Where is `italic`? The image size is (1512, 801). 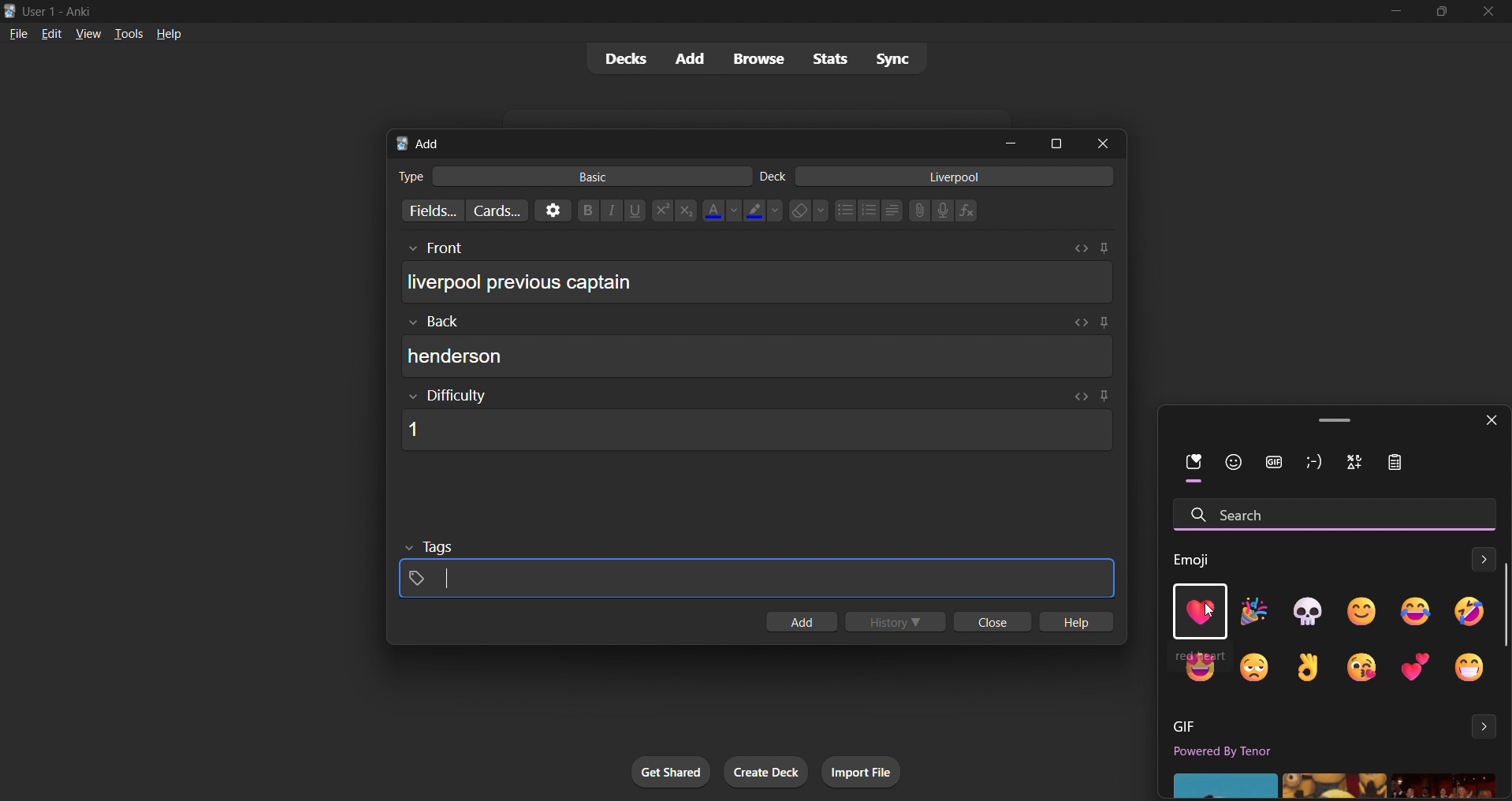 italic is located at coordinates (613, 212).